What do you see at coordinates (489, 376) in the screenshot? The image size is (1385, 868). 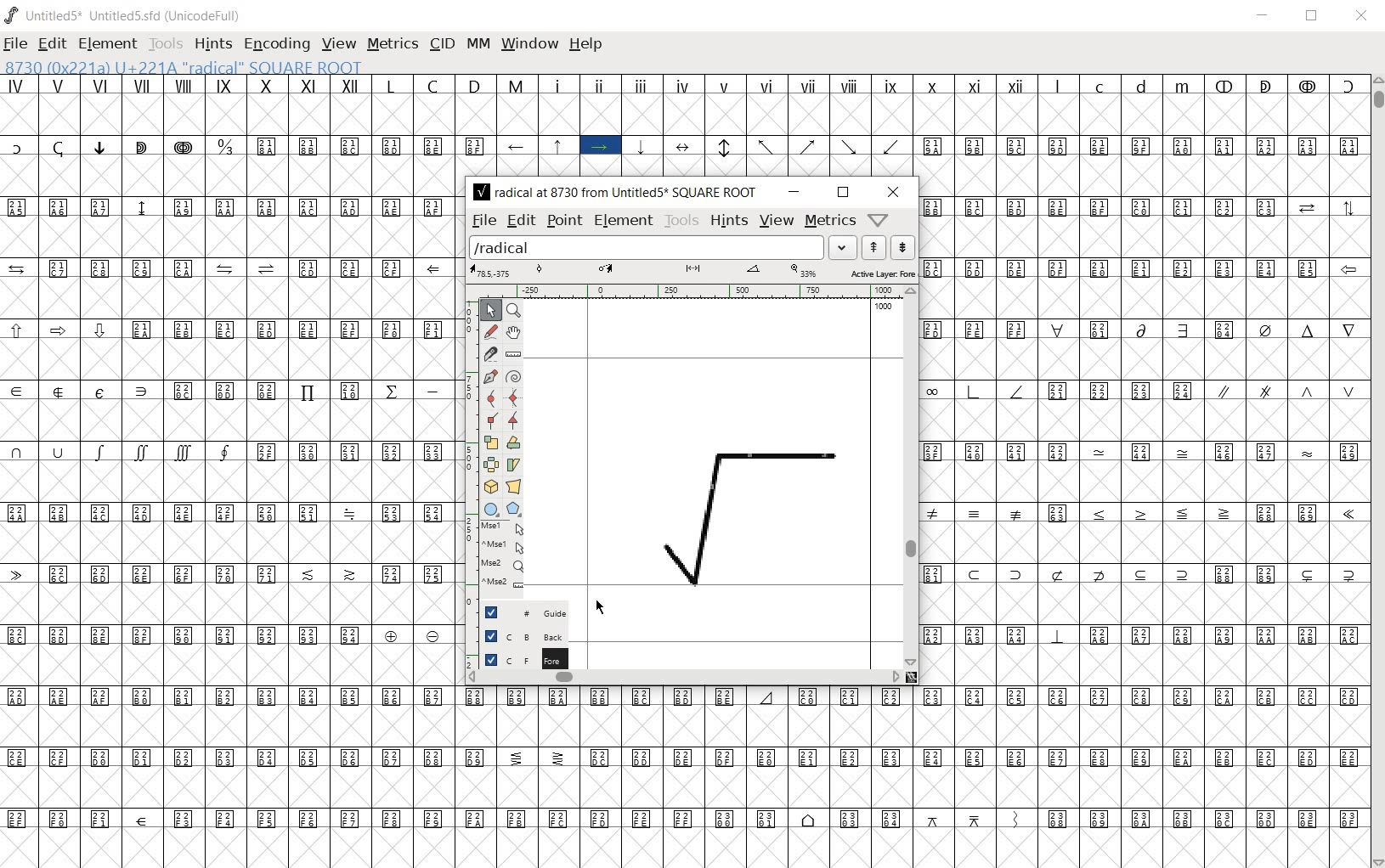 I see `add a point, then drag out its control points` at bounding box center [489, 376].